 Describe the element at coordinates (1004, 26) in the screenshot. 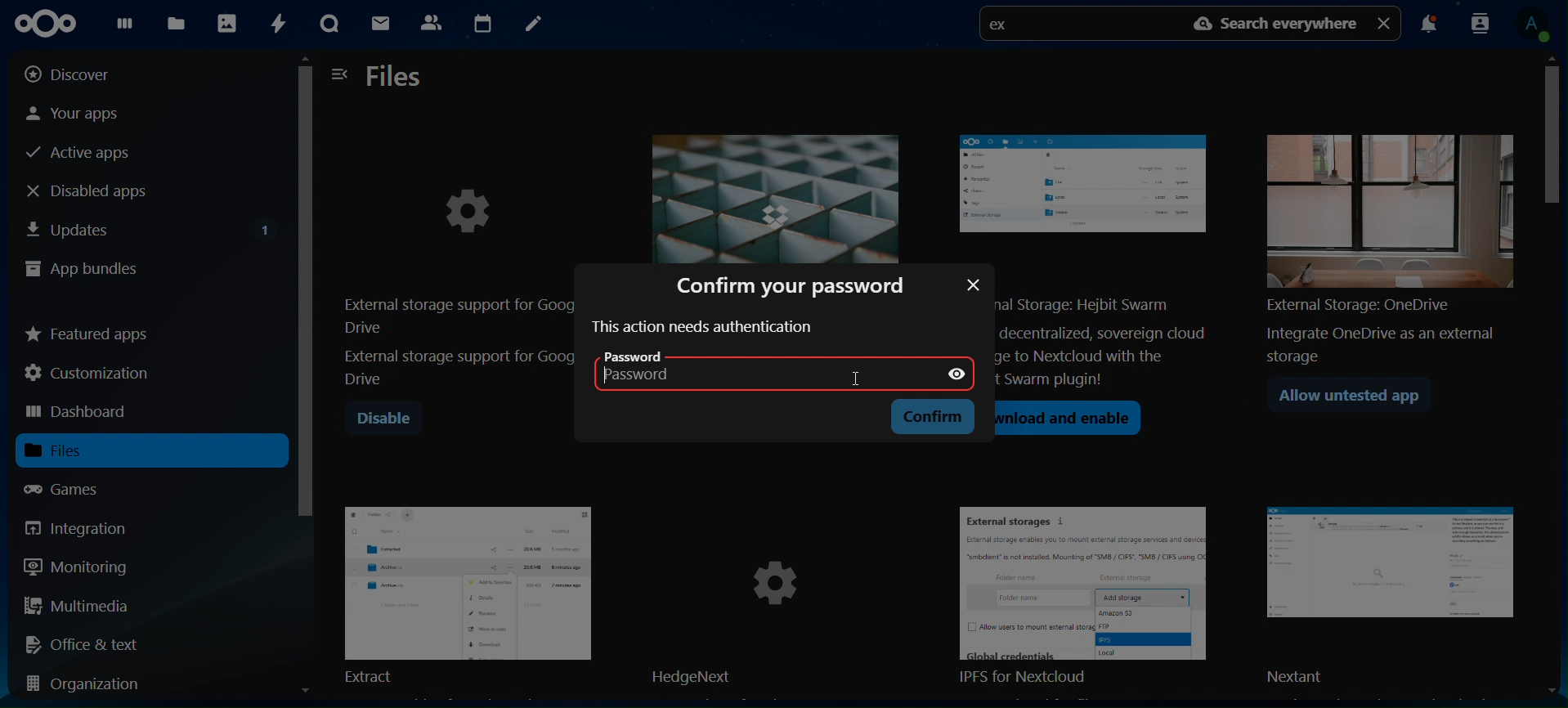

I see `ex` at that location.